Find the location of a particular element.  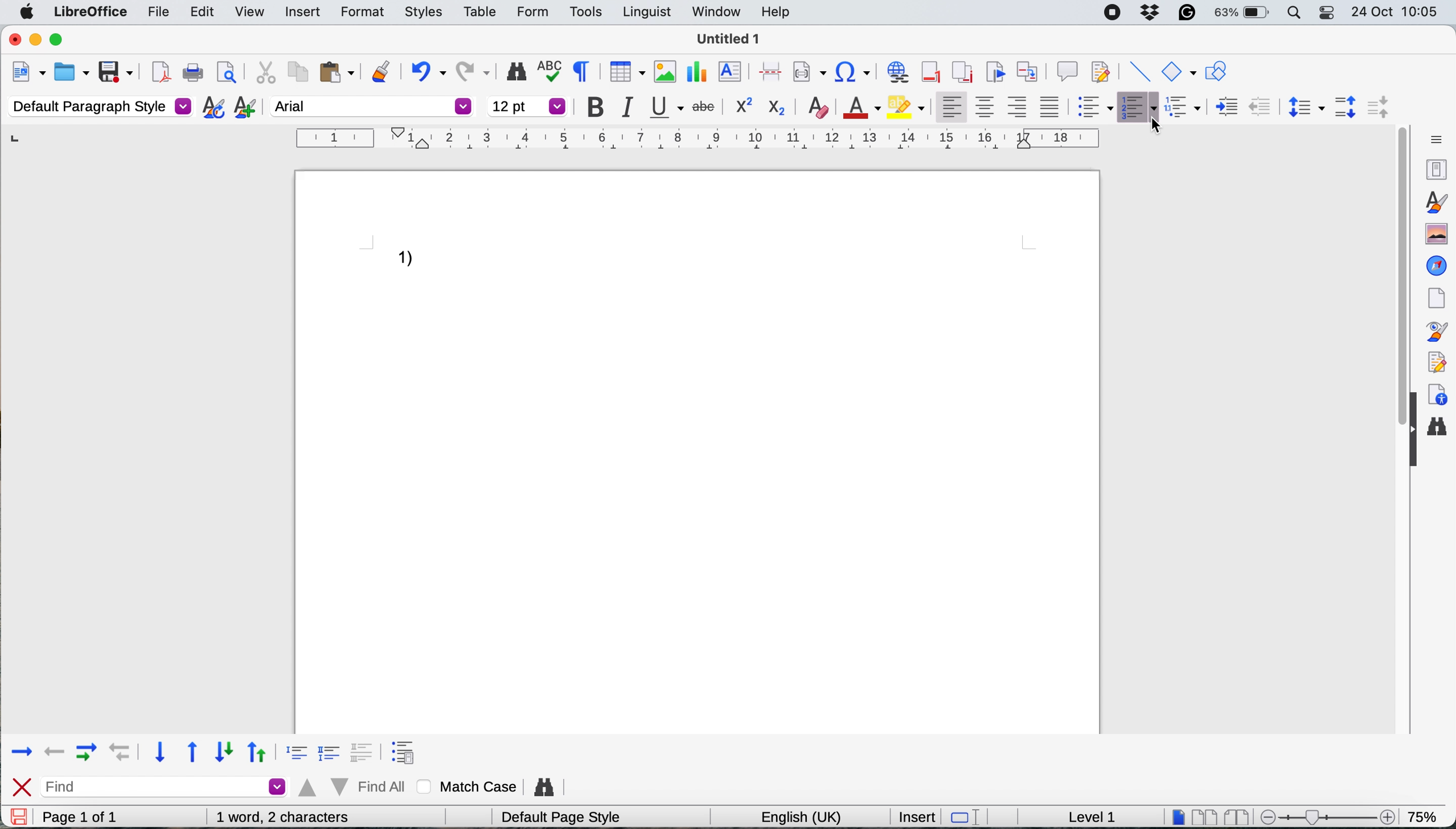

insert bookmark is located at coordinates (994, 71).